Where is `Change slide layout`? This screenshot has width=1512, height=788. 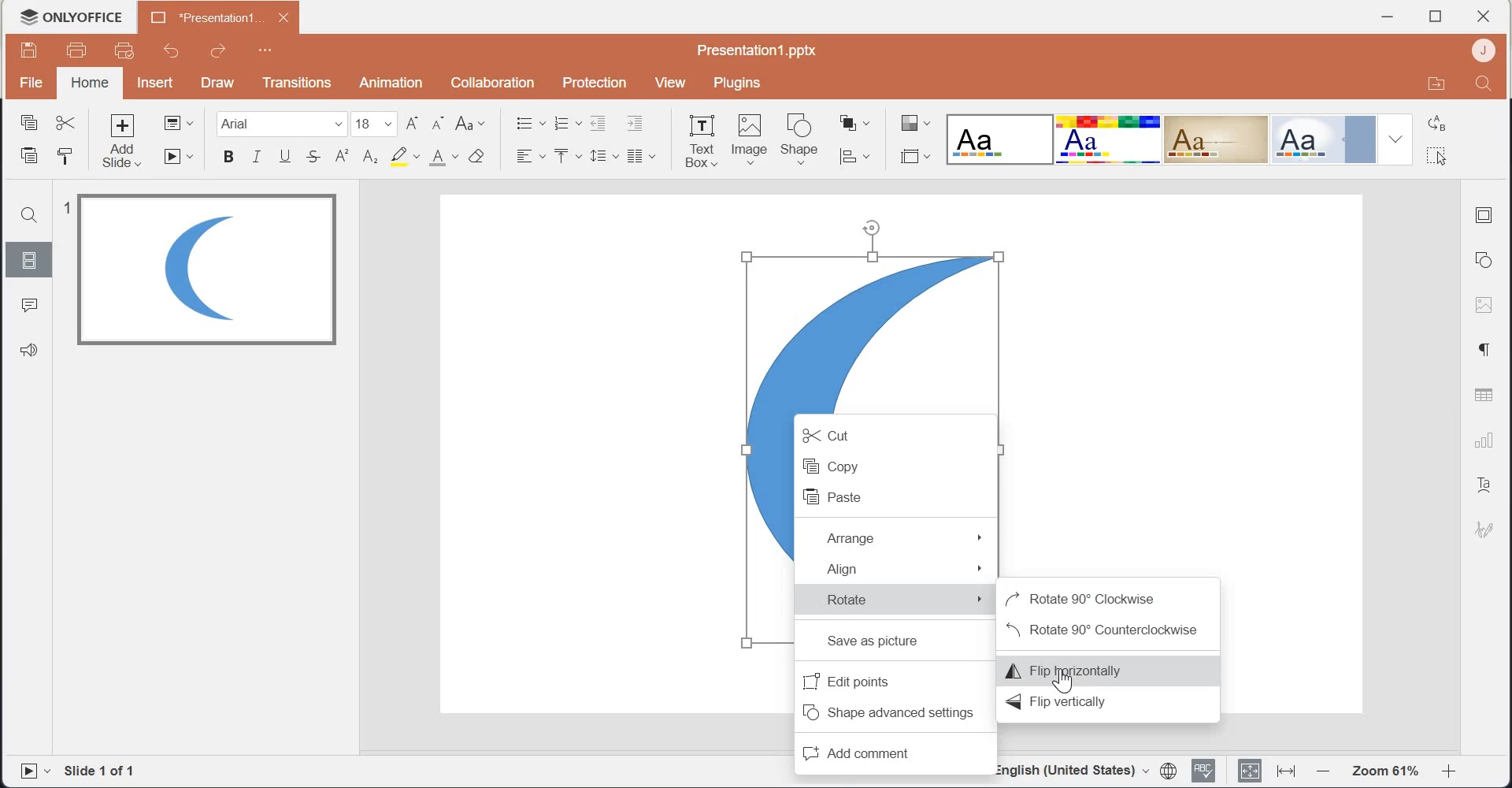 Change slide layout is located at coordinates (180, 123).